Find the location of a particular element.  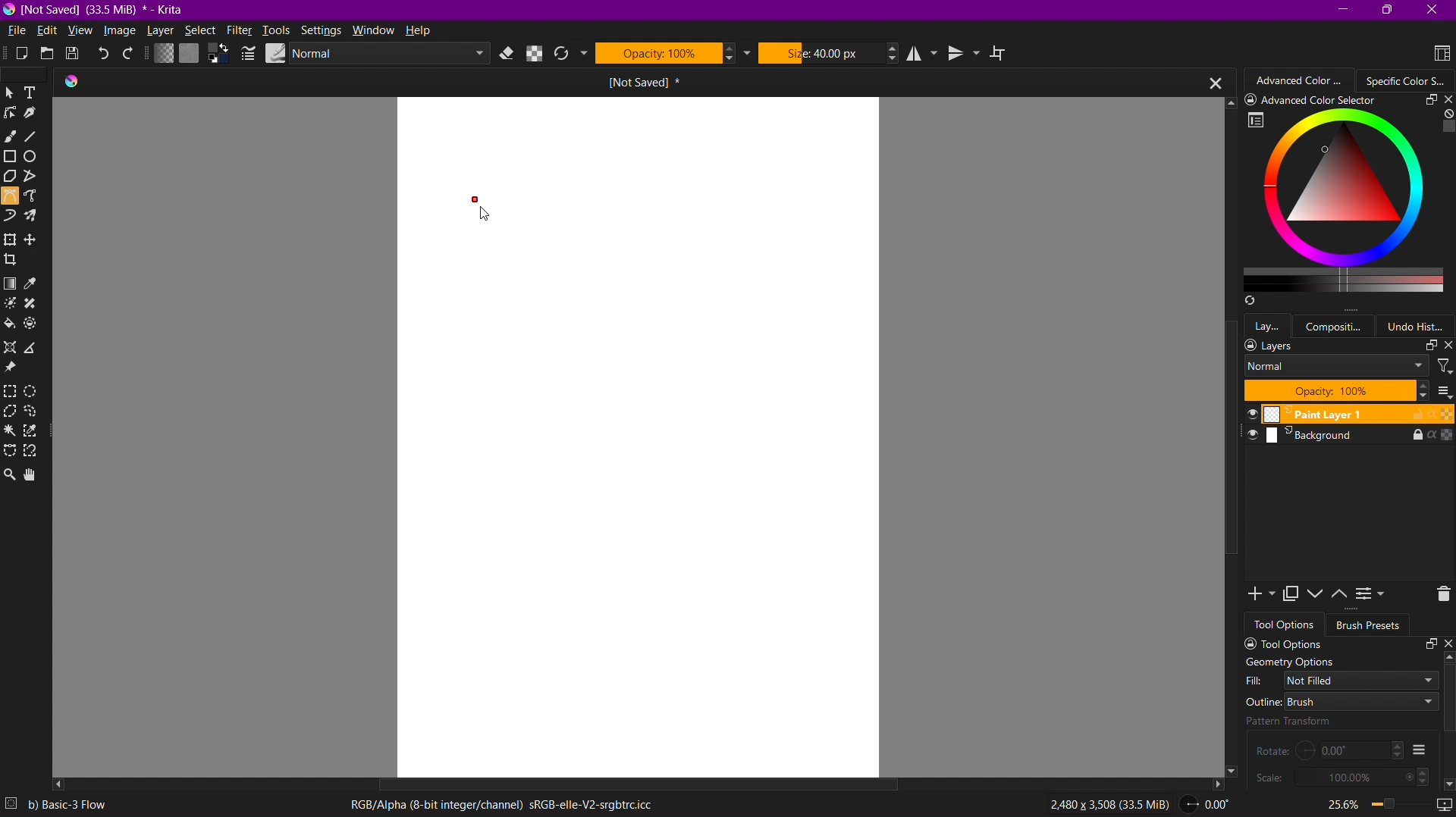

Enclose and fill tool is located at coordinates (36, 326).